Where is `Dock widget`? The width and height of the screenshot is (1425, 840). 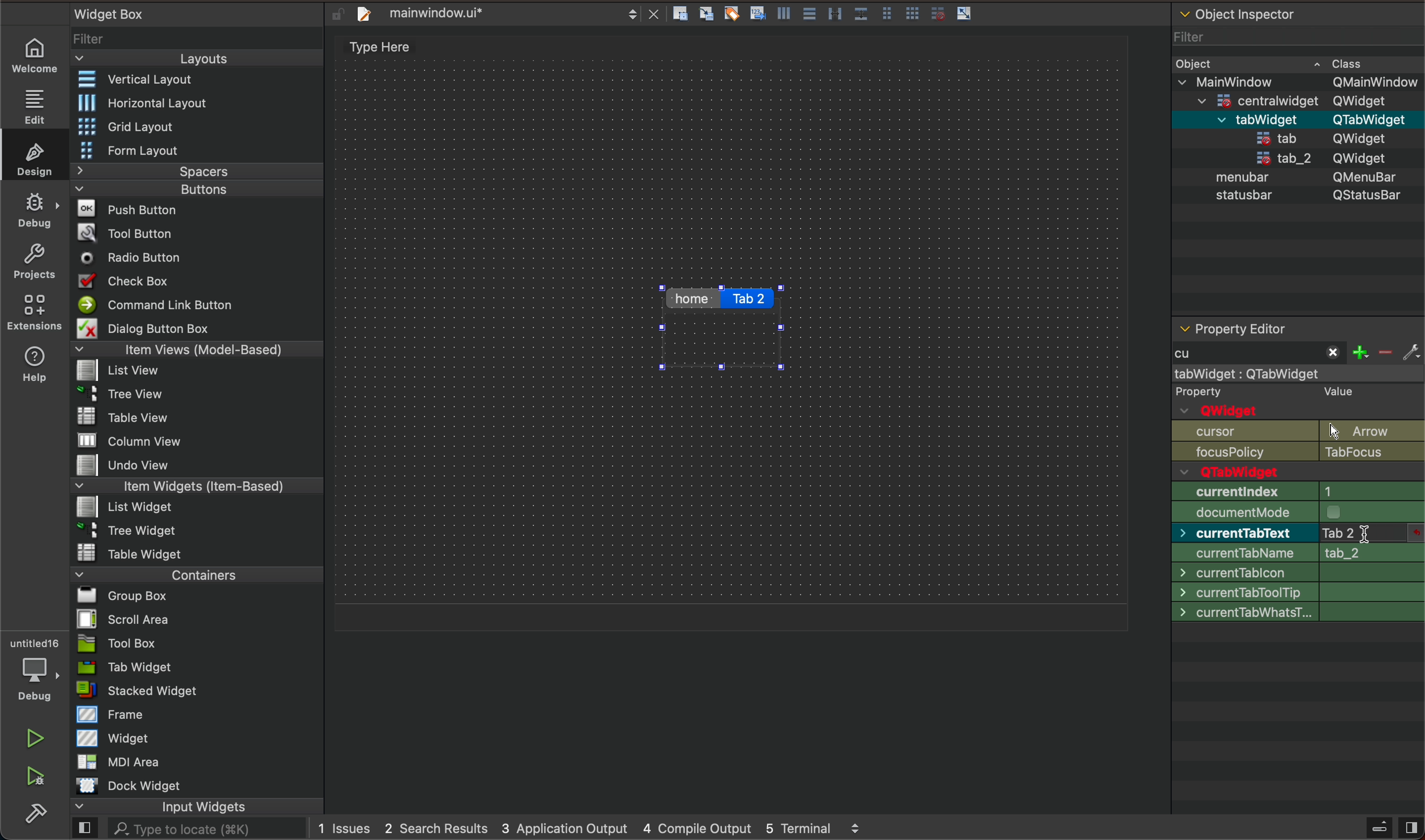
Dock widget is located at coordinates (146, 786).